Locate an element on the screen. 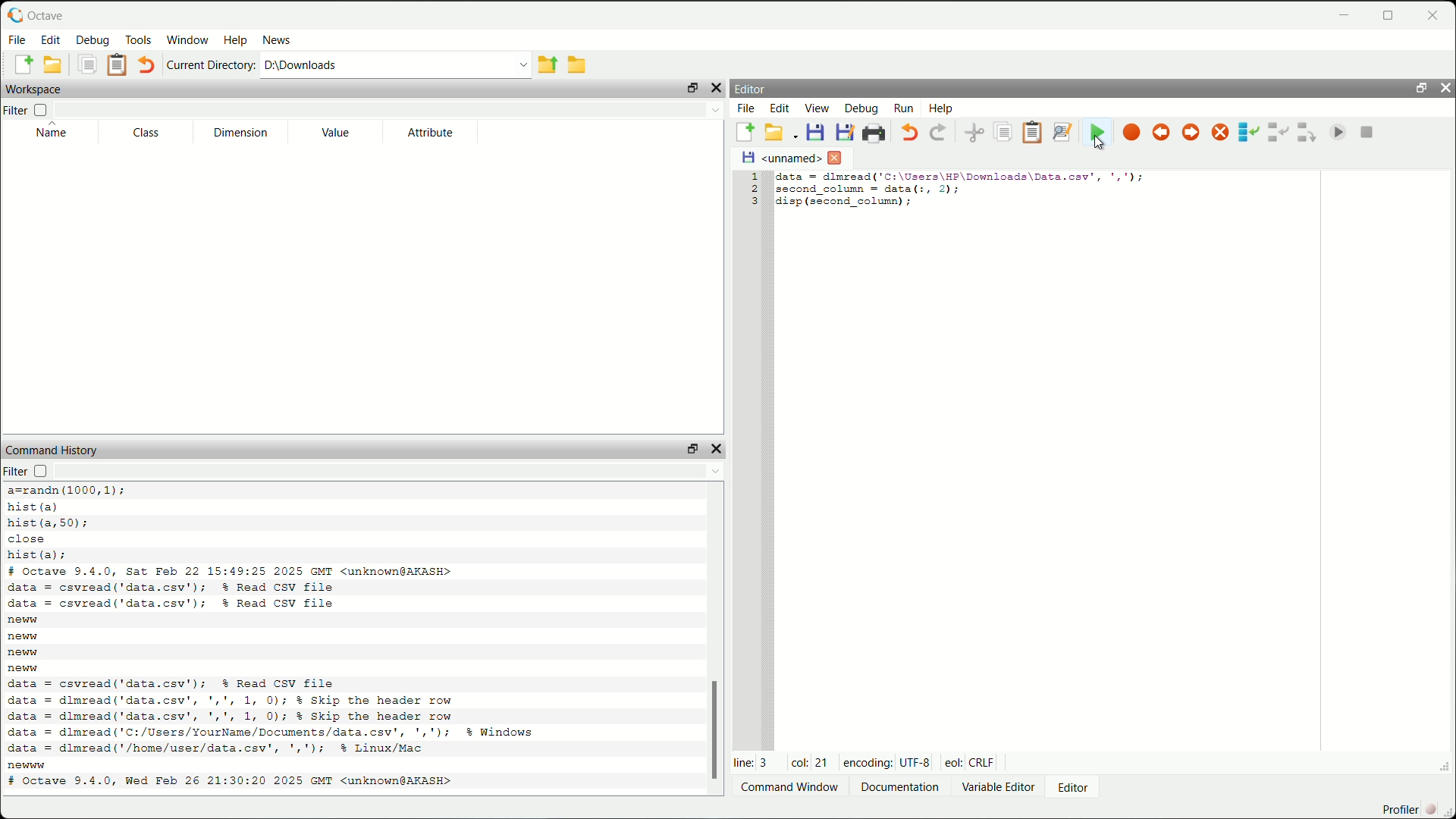 This screenshot has height=819, width=1456. remove all breakpoints is located at coordinates (1219, 135).